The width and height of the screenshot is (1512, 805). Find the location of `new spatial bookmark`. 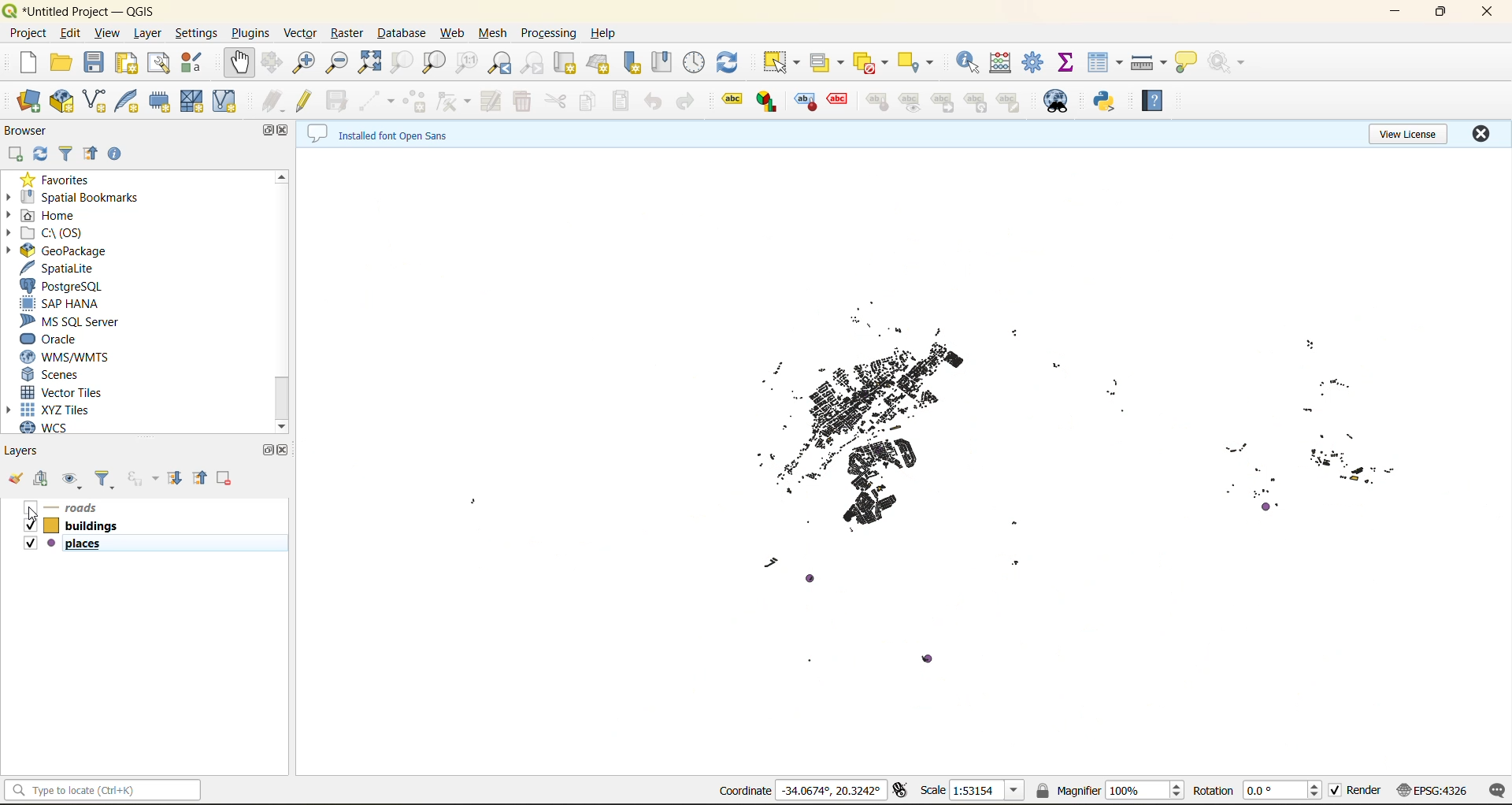

new spatial bookmark is located at coordinates (631, 64).